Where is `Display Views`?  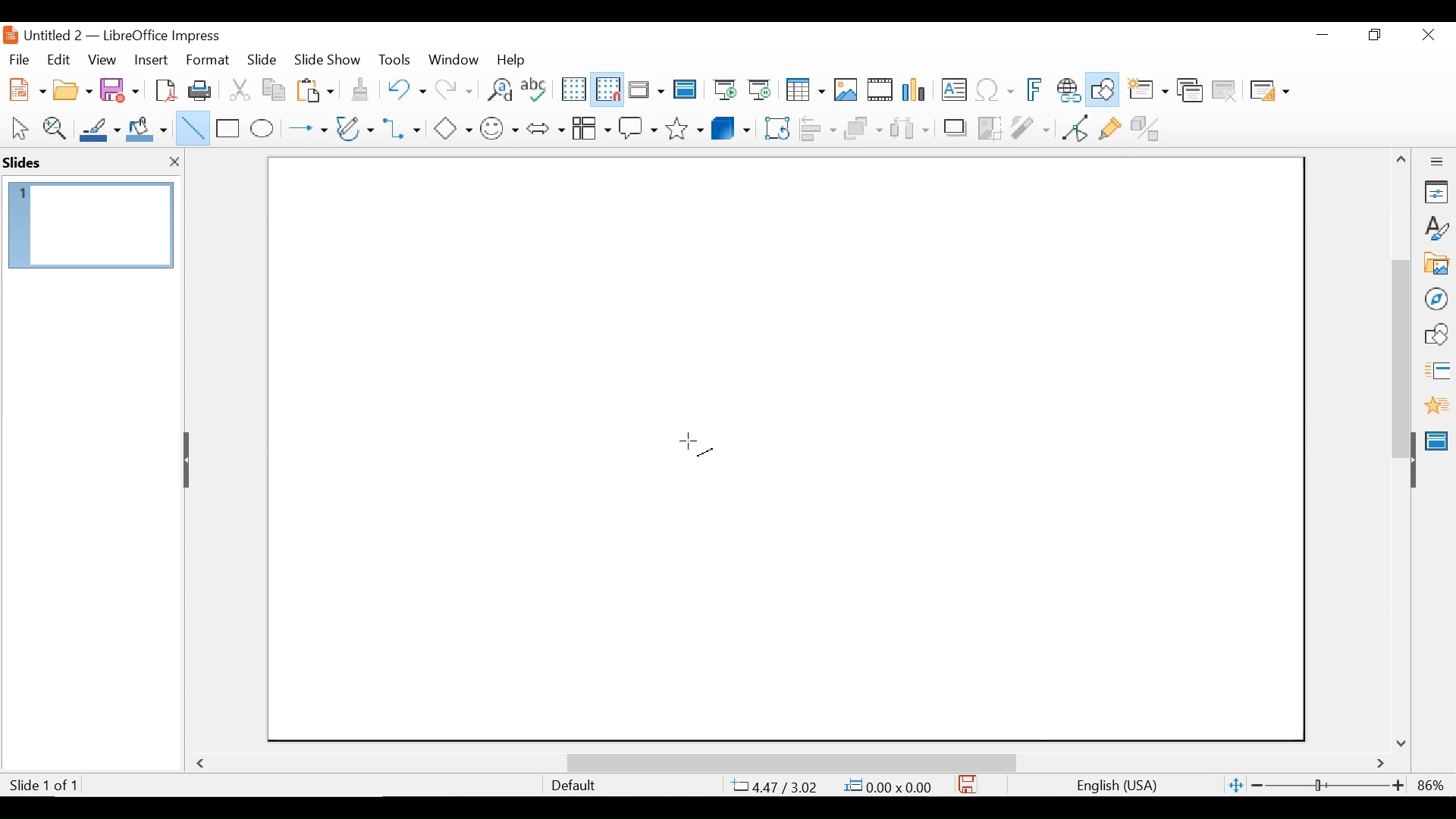 Display Views is located at coordinates (645, 91).